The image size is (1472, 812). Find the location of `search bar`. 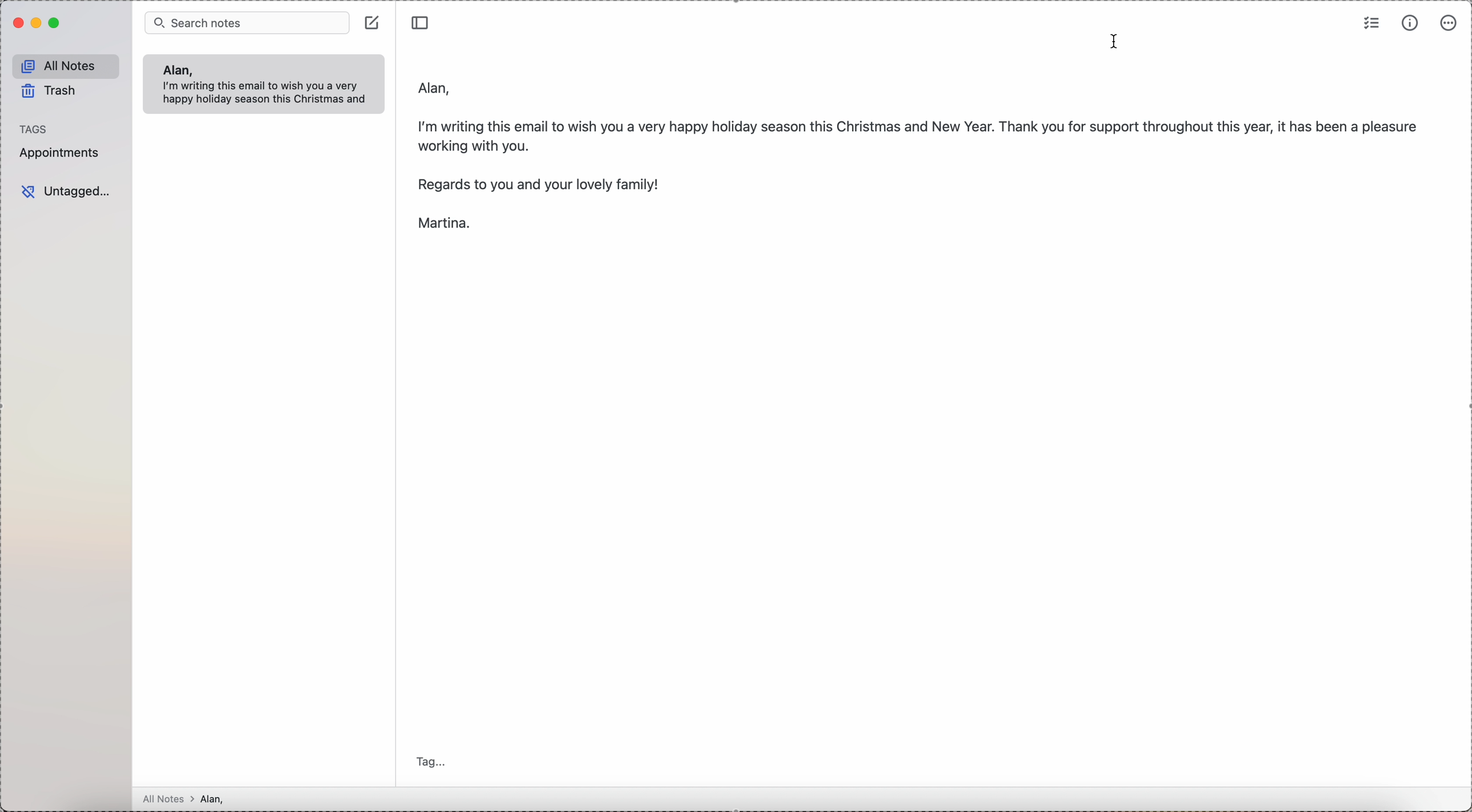

search bar is located at coordinates (247, 22).